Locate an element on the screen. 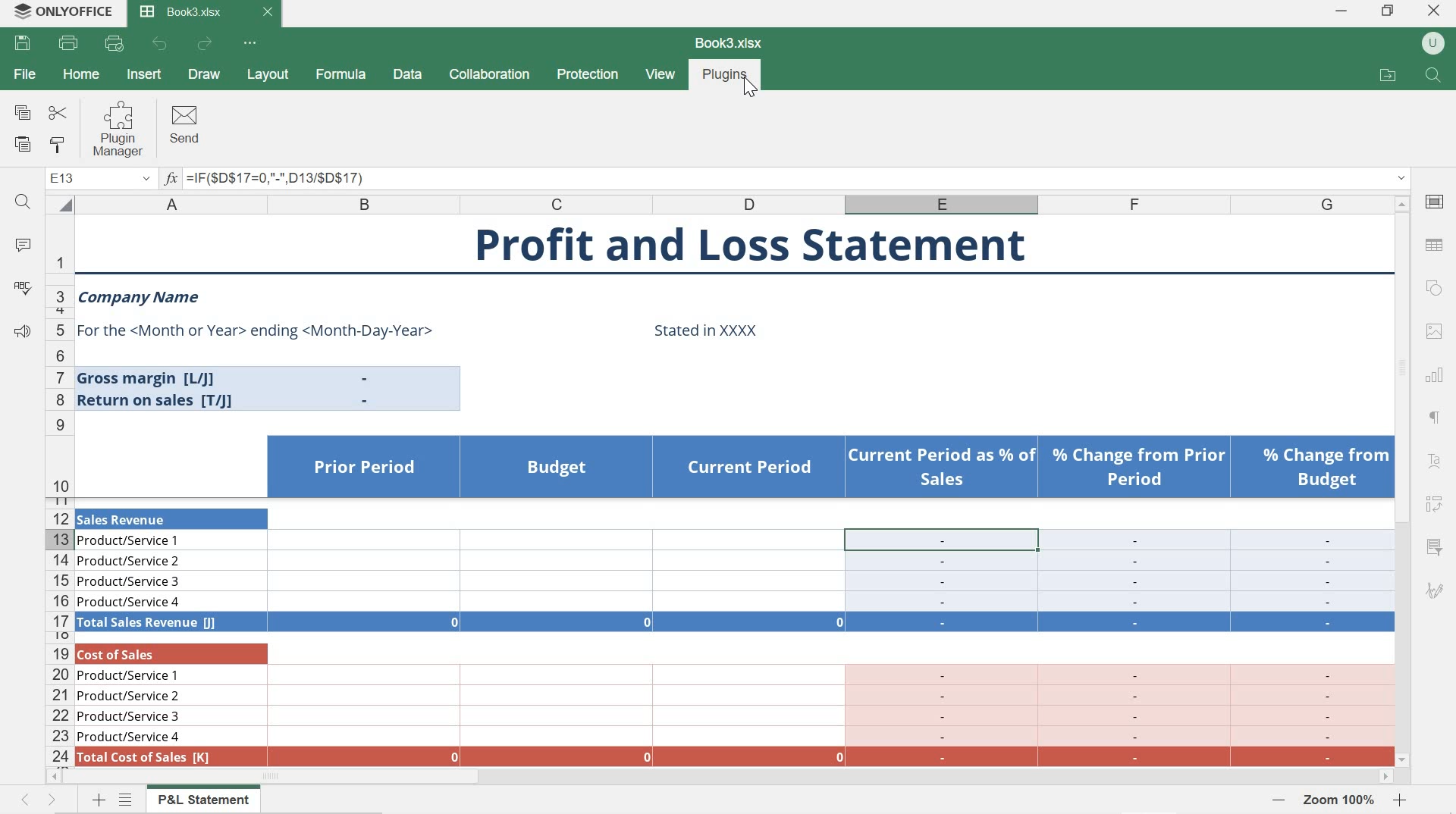 This screenshot has height=814, width=1456. For the <Month or Year> ending <Month-Day-Year> is located at coordinates (258, 331).